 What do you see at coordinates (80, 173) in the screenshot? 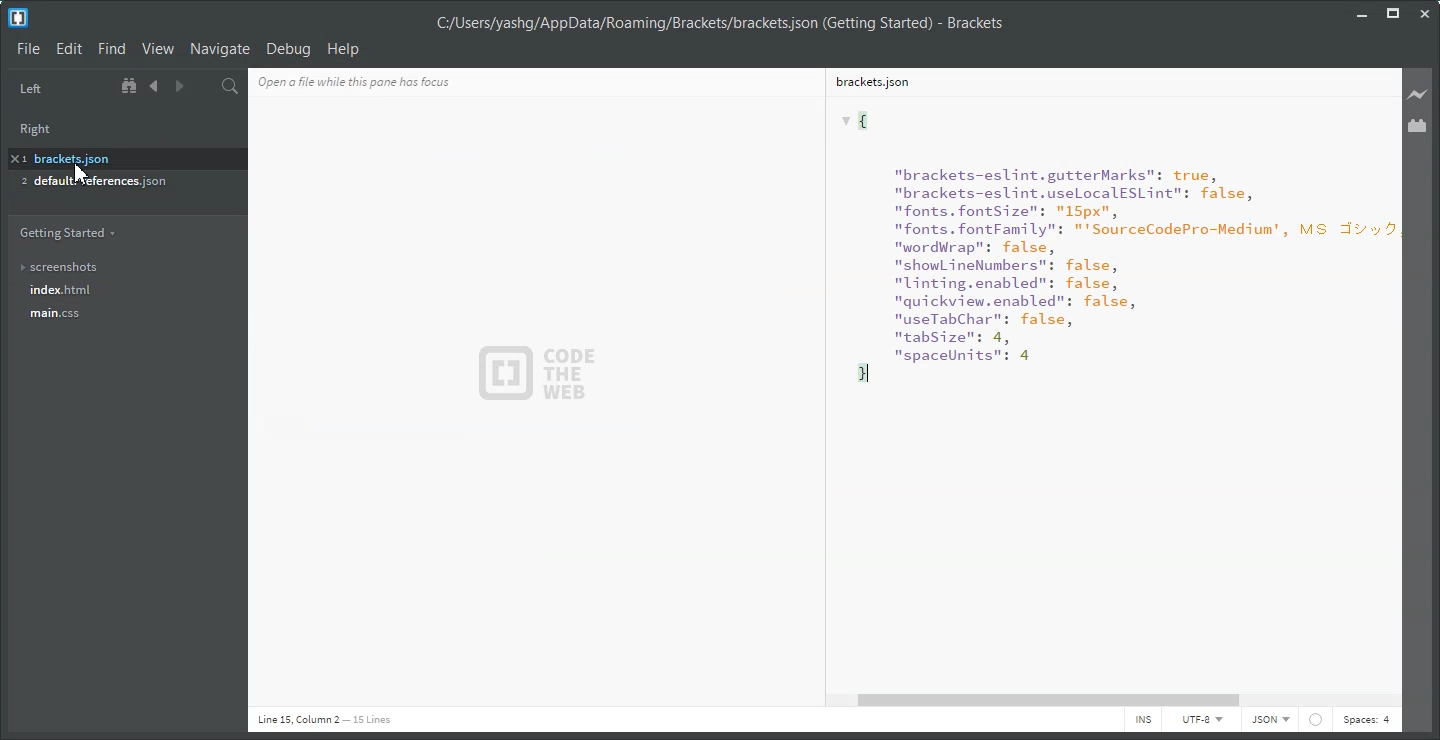
I see `Cursor` at bounding box center [80, 173].